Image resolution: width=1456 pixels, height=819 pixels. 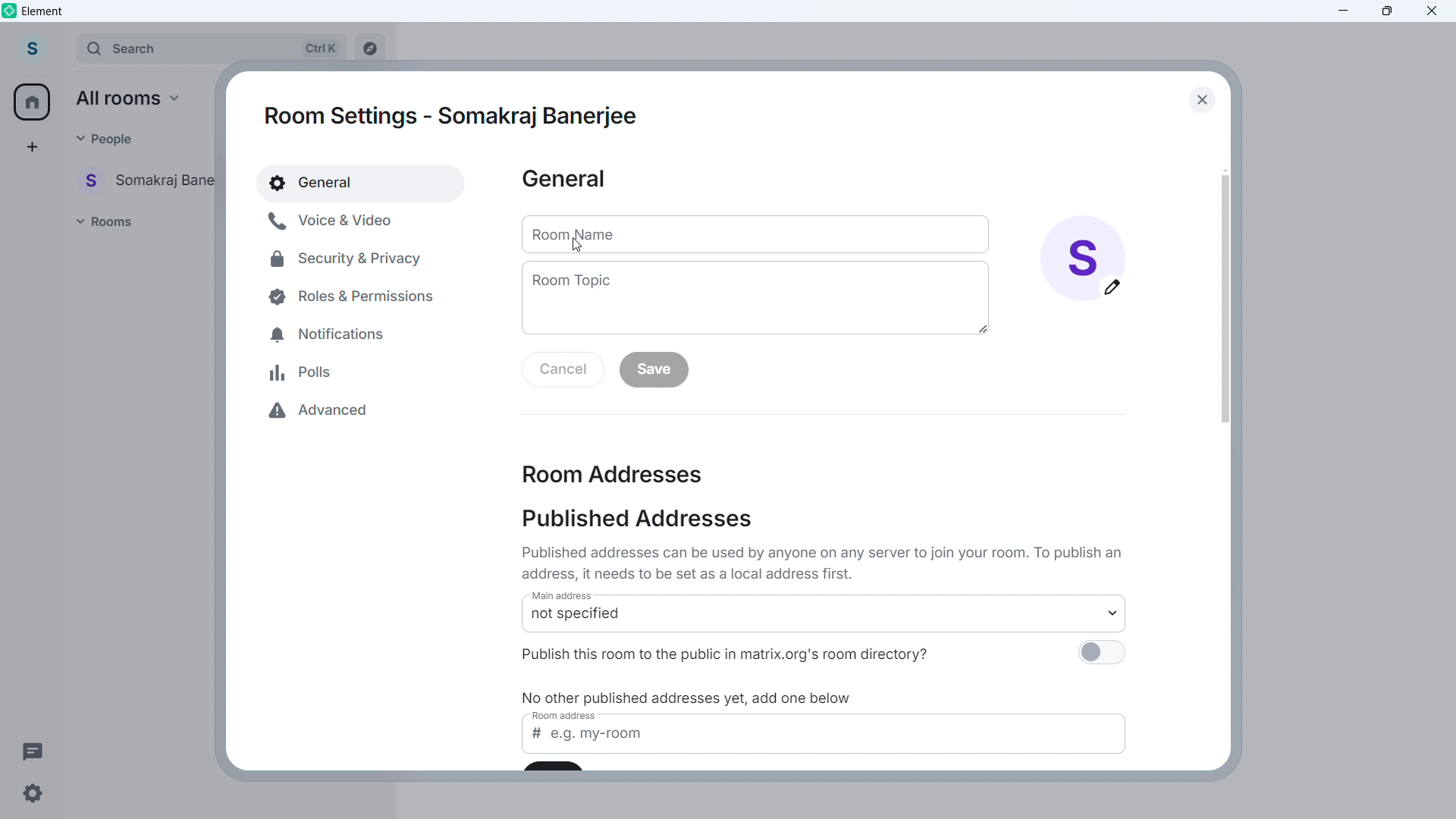 What do you see at coordinates (563, 371) in the screenshot?
I see `Cancel ` at bounding box center [563, 371].